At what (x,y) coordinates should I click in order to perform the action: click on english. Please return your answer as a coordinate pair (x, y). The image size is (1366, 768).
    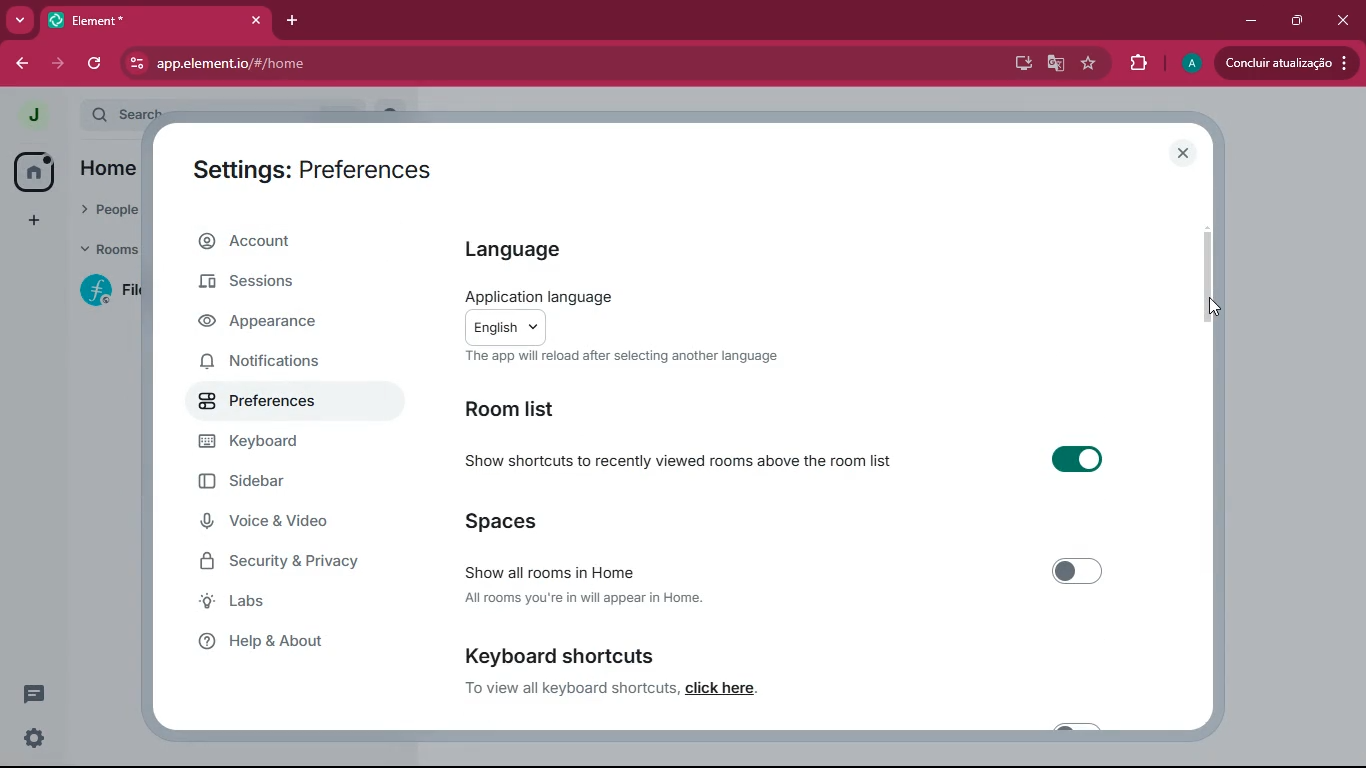
    Looking at the image, I should click on (506, 329).